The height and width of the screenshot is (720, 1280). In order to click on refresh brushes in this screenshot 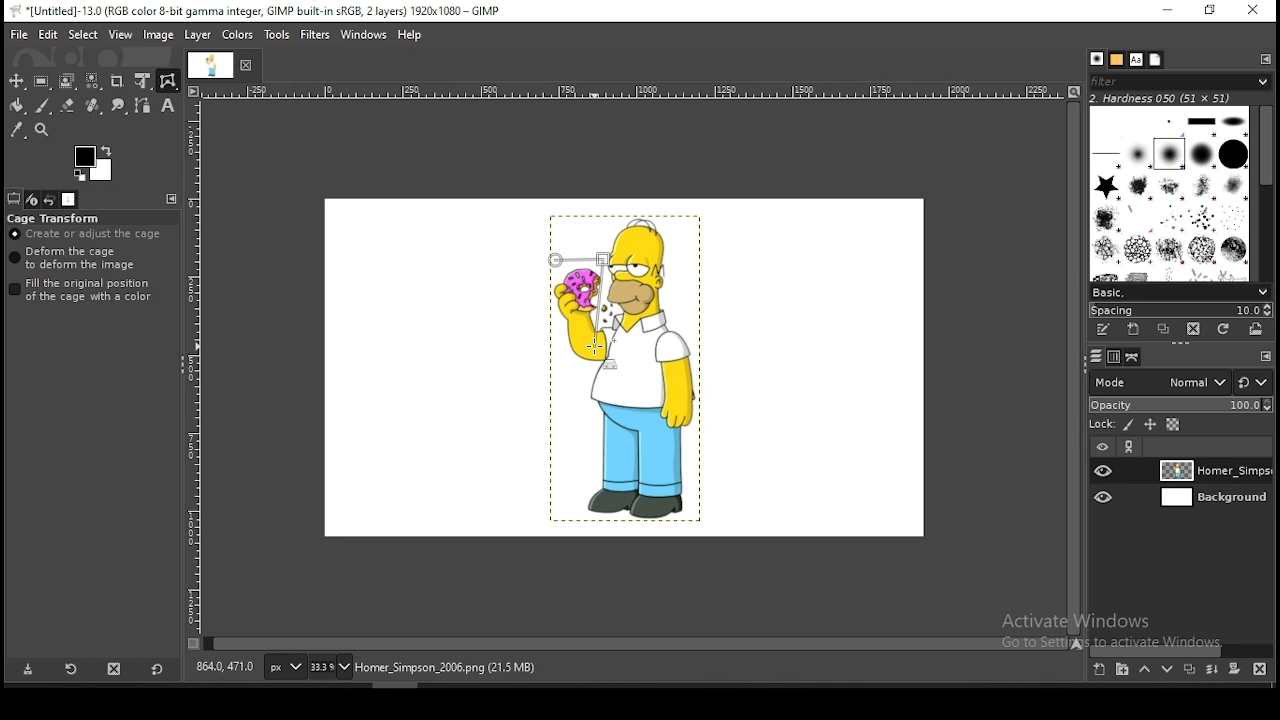, I will do `click(1224, 329)`.